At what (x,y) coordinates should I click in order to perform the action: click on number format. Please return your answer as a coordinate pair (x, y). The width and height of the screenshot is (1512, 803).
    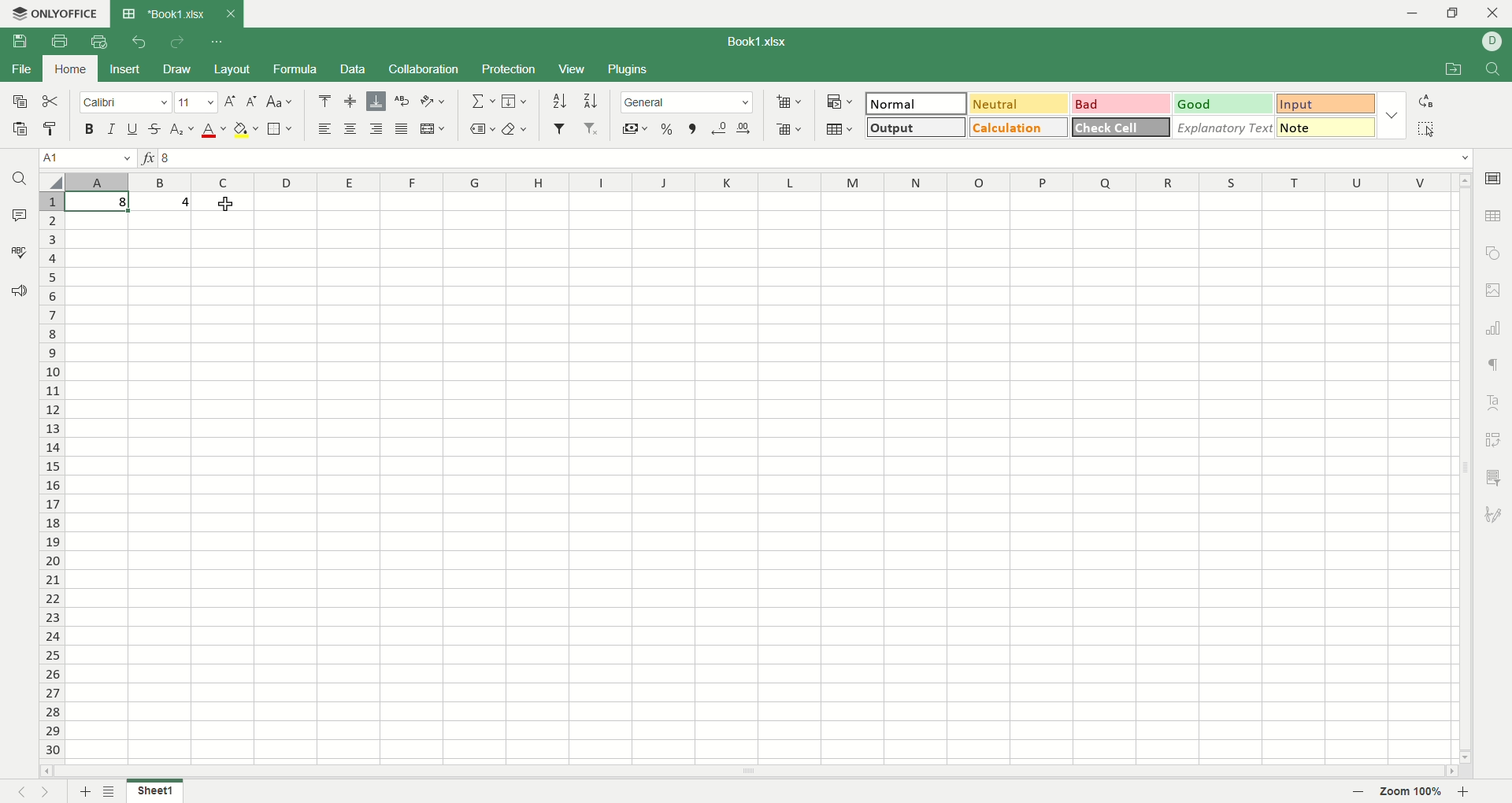
    Looking at the image, I should click on (687, 102).